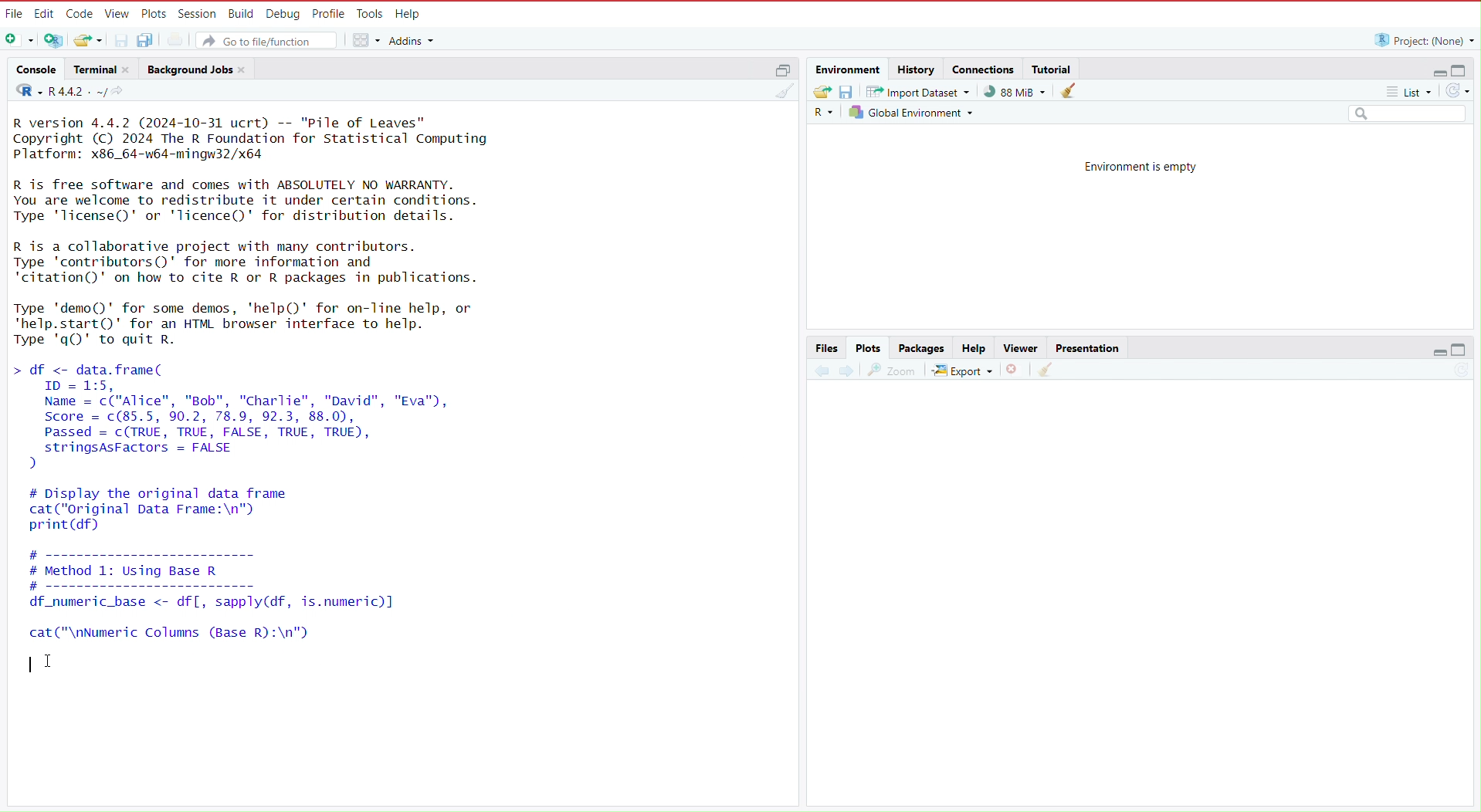 This screenshot has width=1481, height=812. What do you see at coordinates (1125, 604) in the screenshot?
I see `empty area` at bounding box center [1125, 604].